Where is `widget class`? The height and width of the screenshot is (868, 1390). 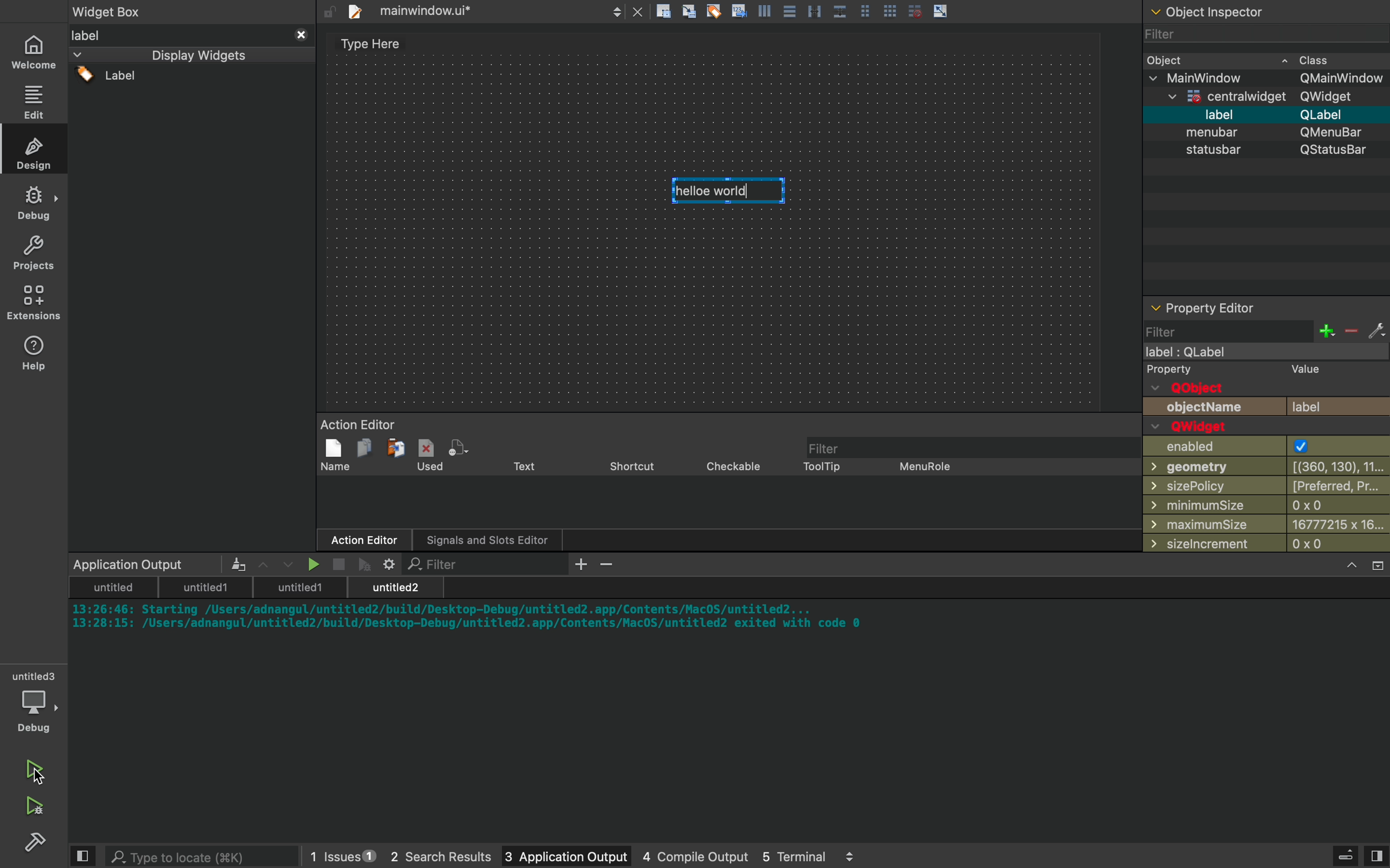
widget class is located at coordinates (1268, 59).